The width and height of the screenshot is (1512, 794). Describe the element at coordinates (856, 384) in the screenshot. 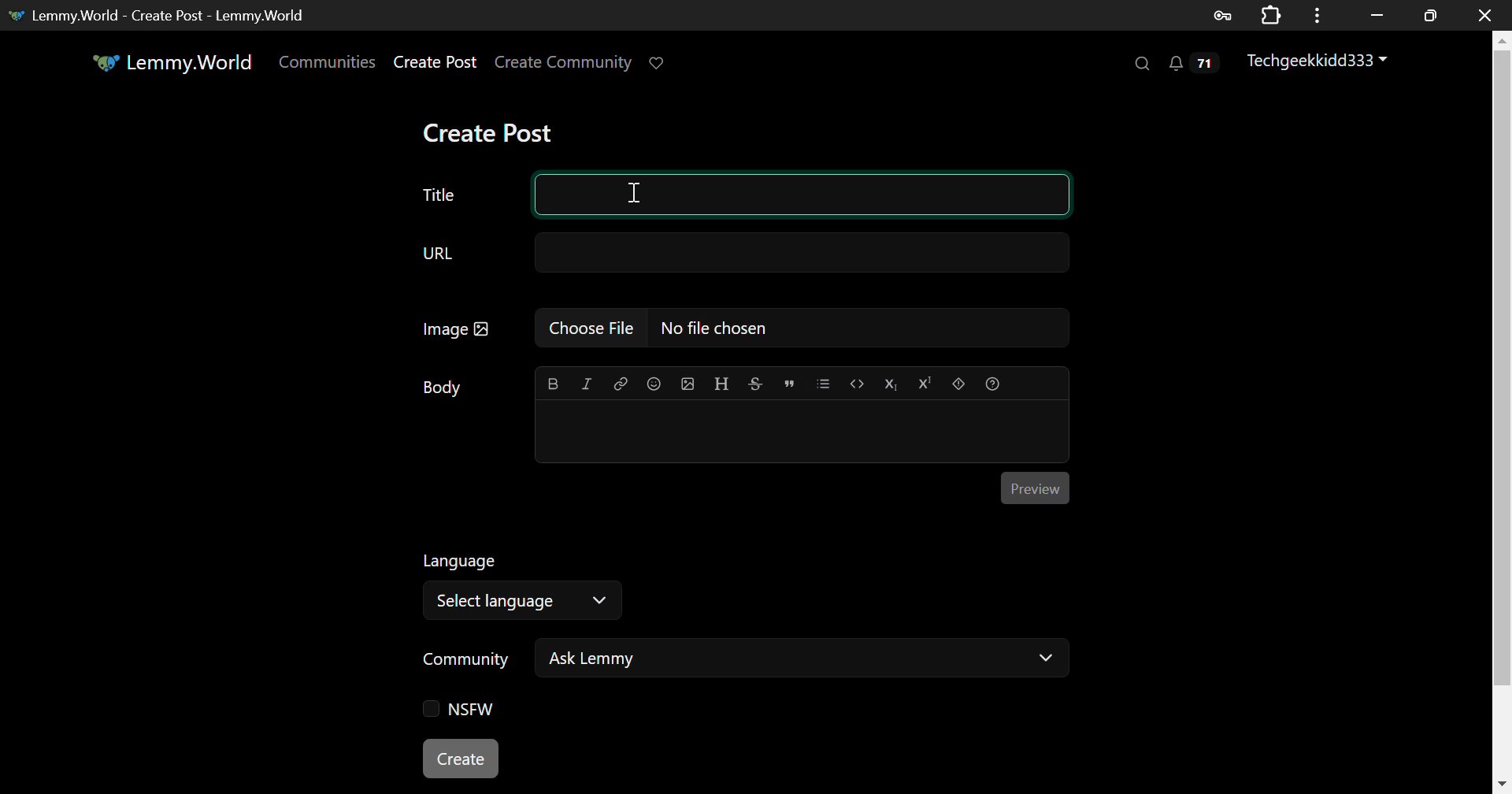

I see `Code` at that location.